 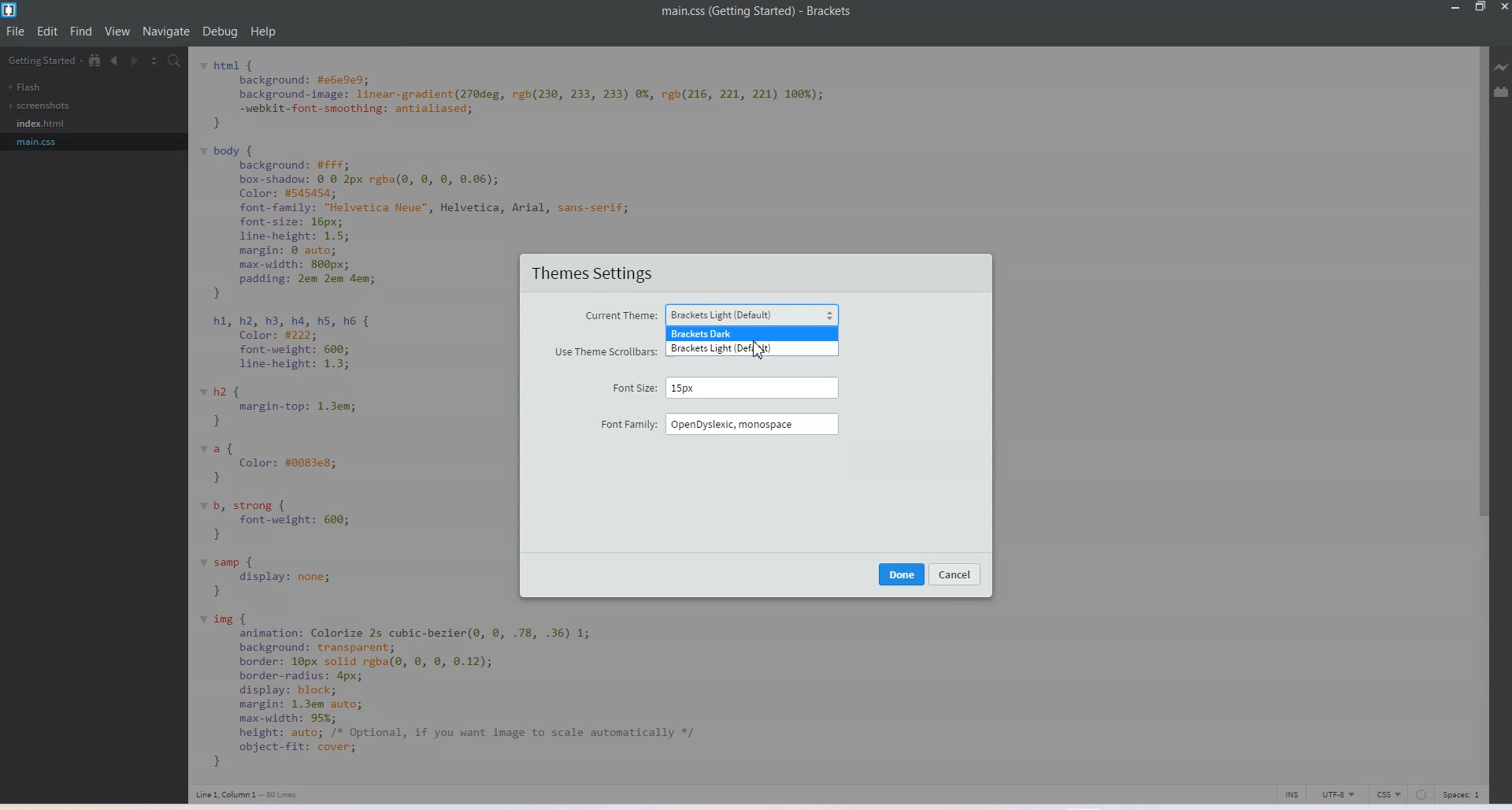 I want to click on Navigate Forward, so click(x=137, y=61).